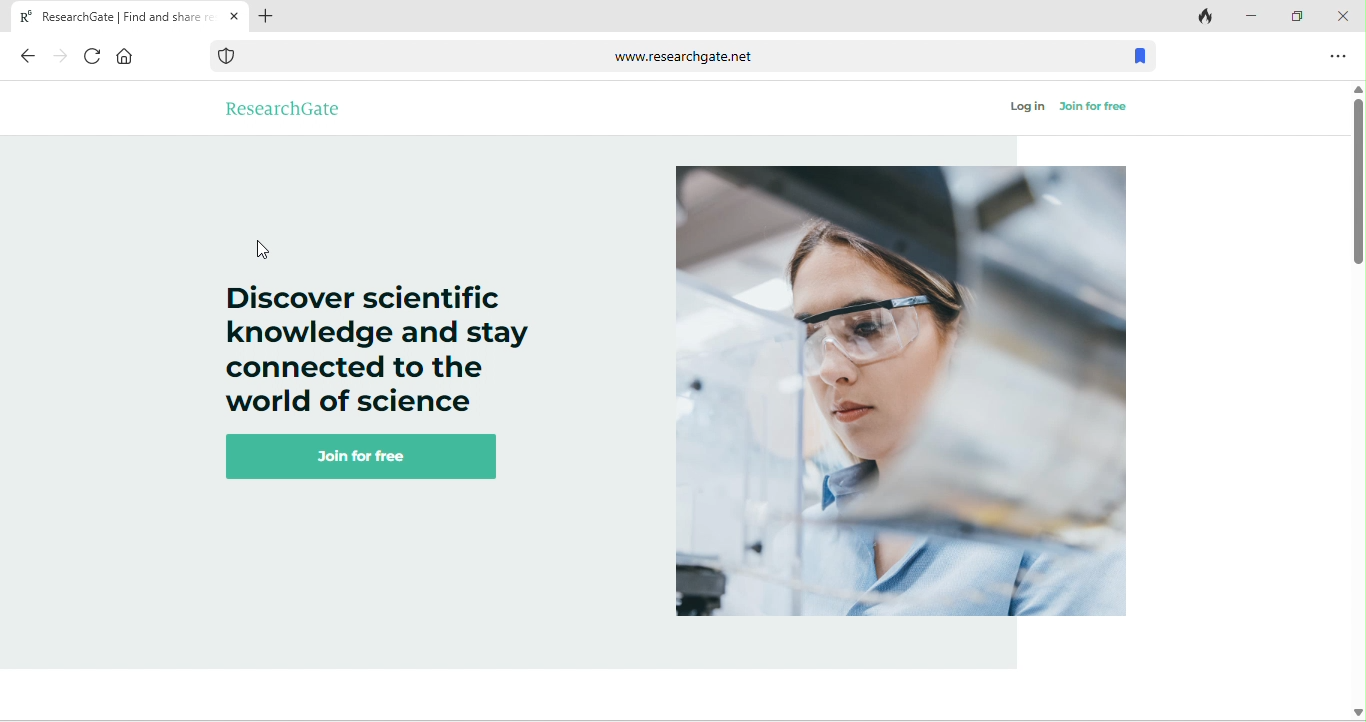 The width and height of the screenshot is (1366, 722). I want to click on minimize, so click(1249, 14).